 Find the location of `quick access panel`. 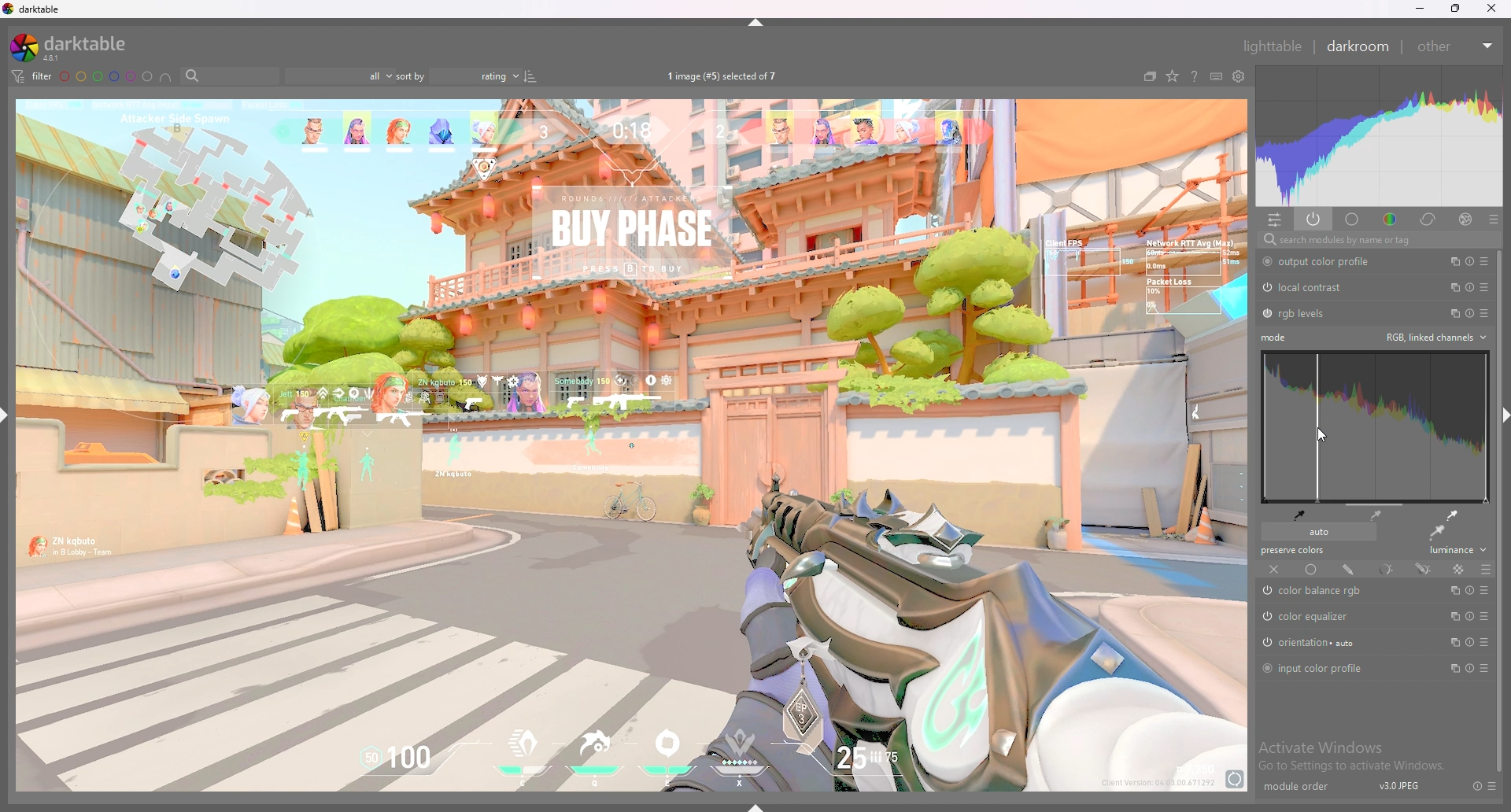

quick access panel is located at coordinates (1276, 220).